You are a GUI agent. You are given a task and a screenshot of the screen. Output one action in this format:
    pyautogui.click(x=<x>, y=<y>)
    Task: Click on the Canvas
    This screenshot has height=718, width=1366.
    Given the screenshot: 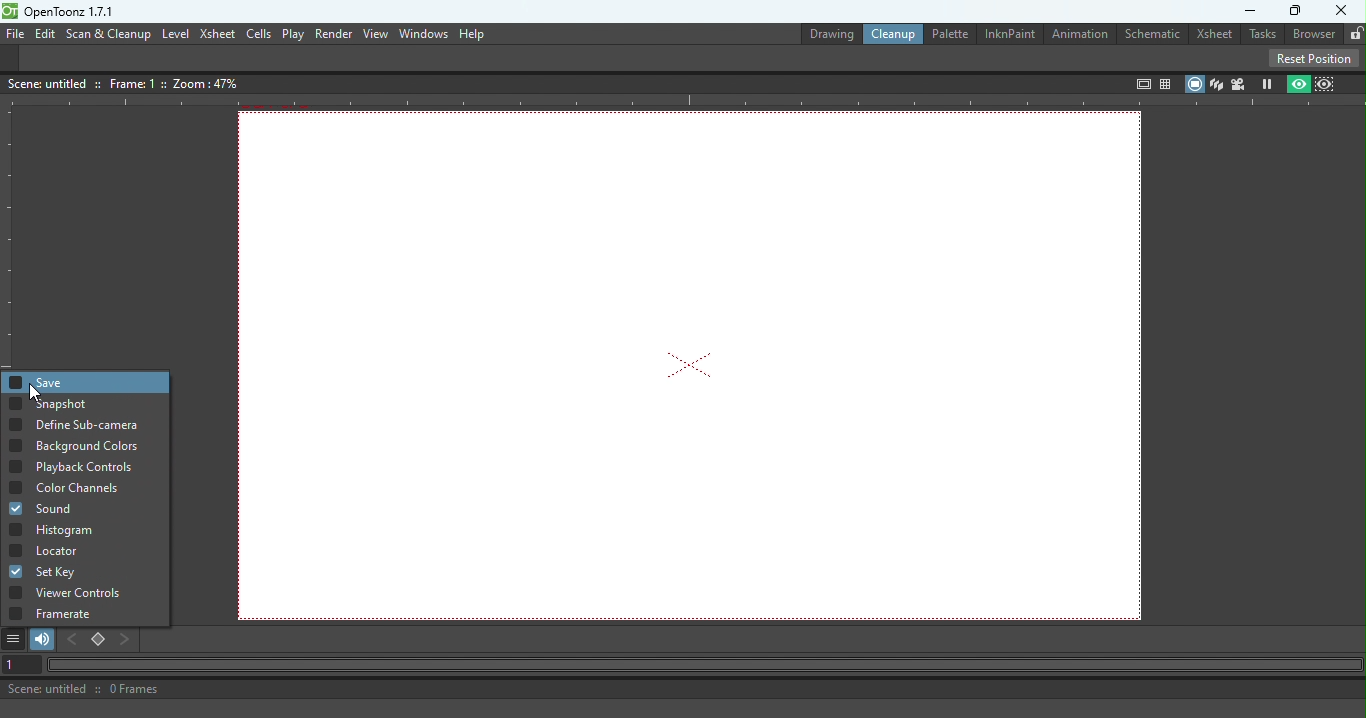 What is the action you would take?
    pyautogui.click(x=696, y=365)
    